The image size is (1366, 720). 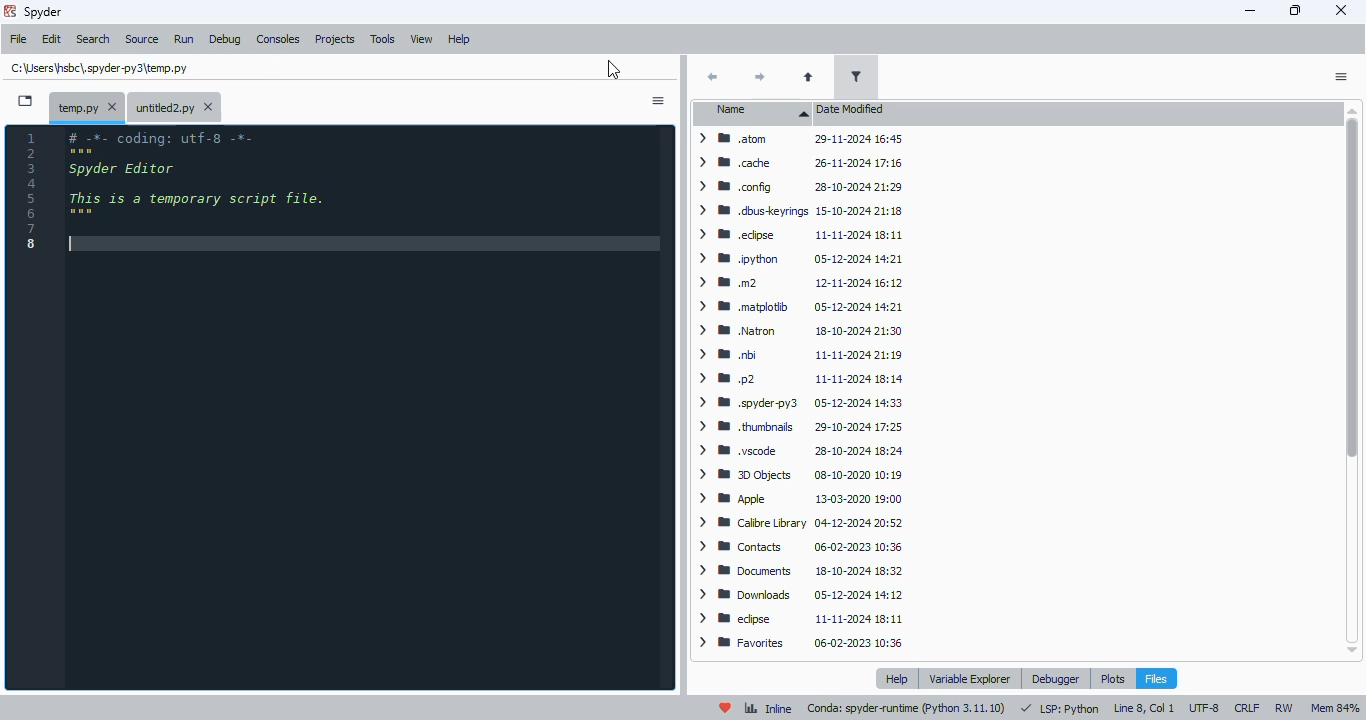 I want to click on > BB Contacts 06-02-2023 10:36, so click(x=799, y=545).